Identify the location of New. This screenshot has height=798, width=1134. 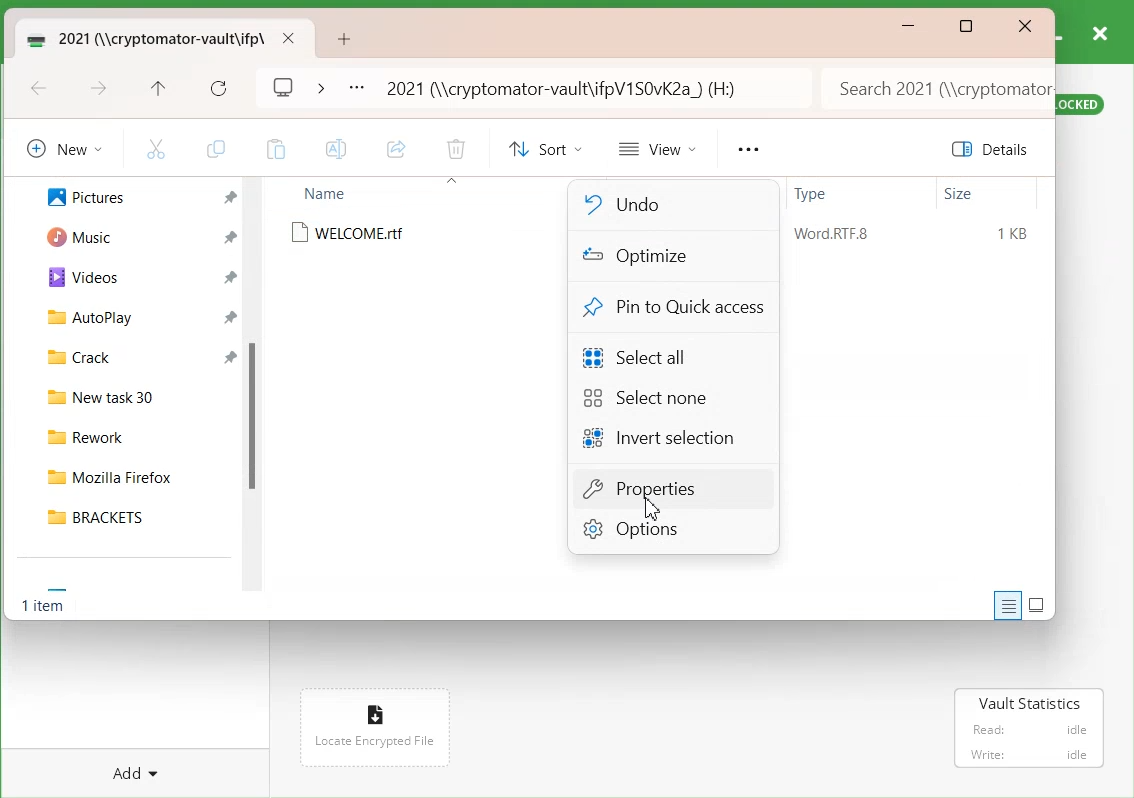
(61, 148).